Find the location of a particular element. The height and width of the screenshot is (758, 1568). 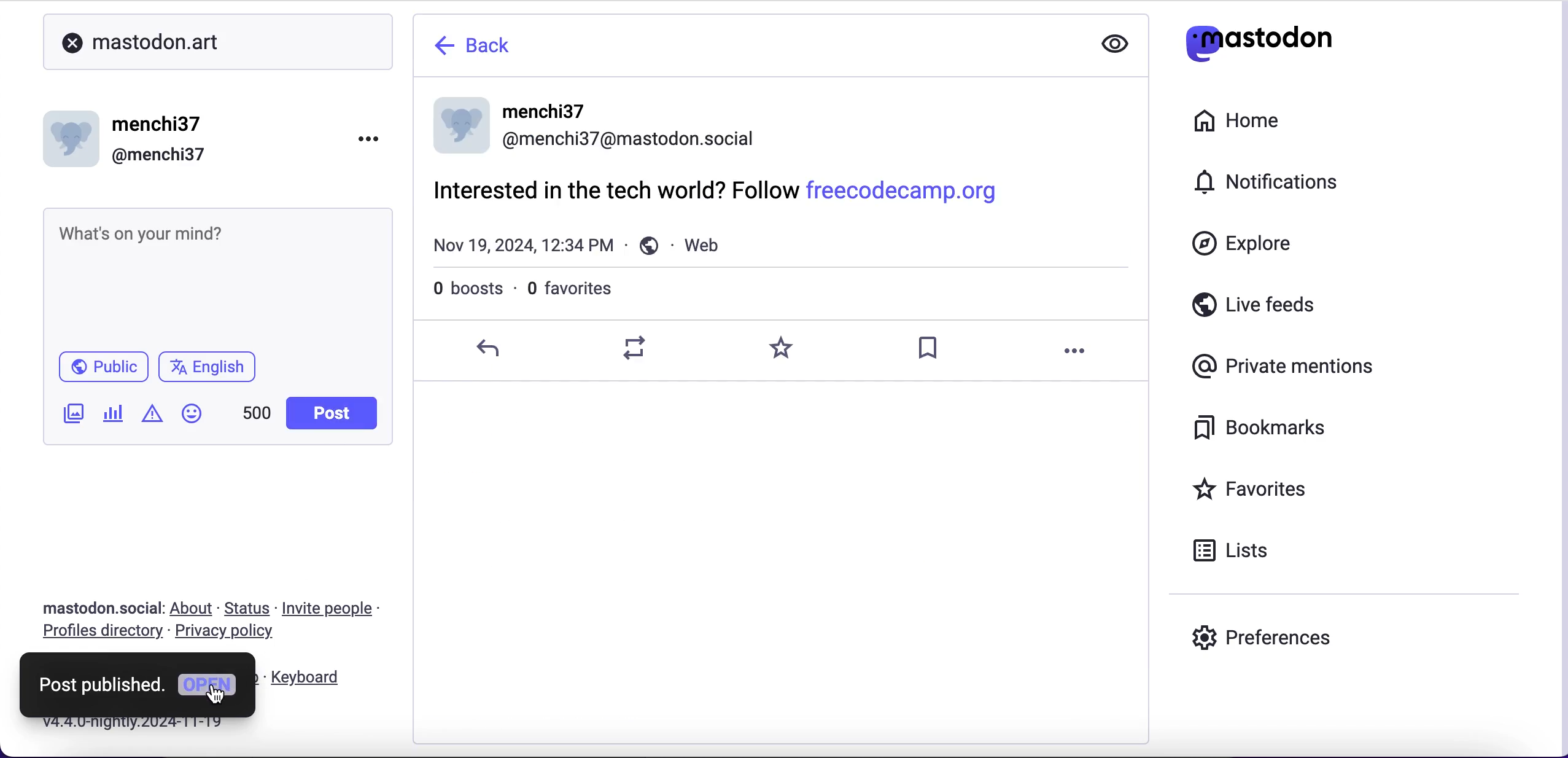

lists is located at coordinates (1237, 552).